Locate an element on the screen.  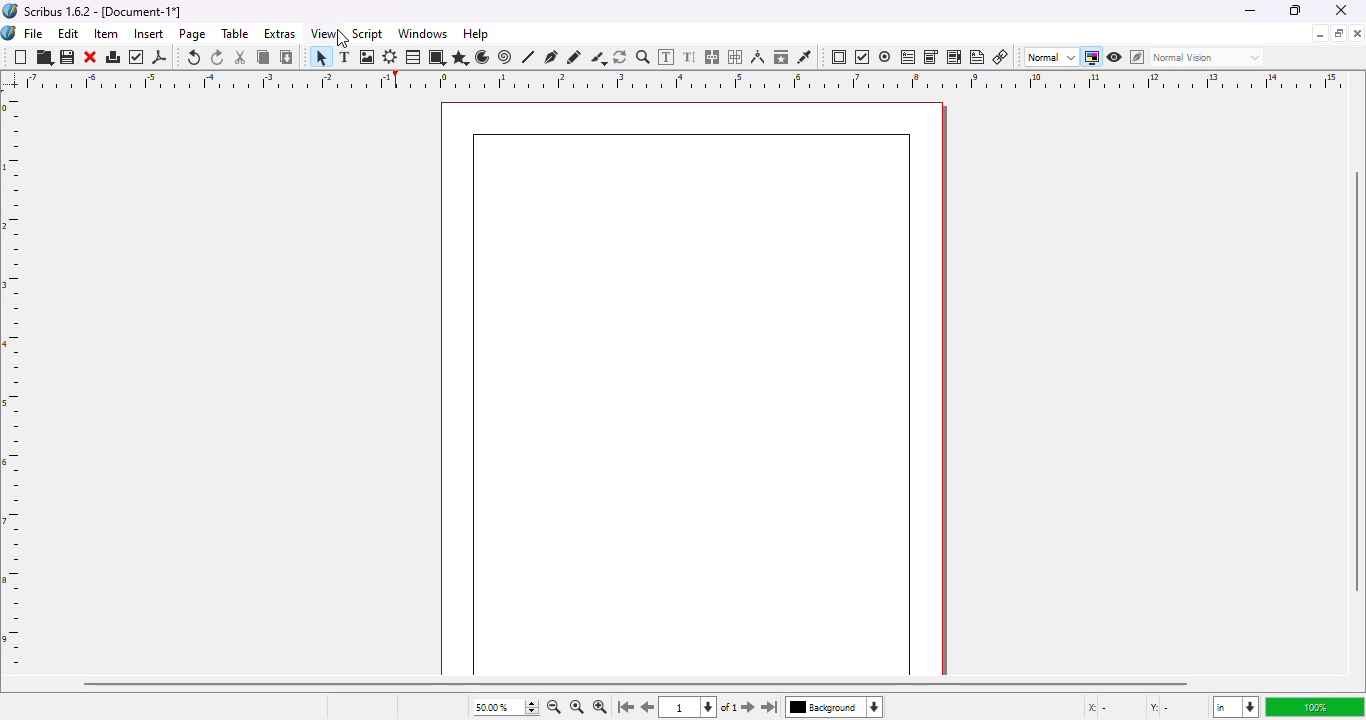
page is located at coordinates (194, 34).